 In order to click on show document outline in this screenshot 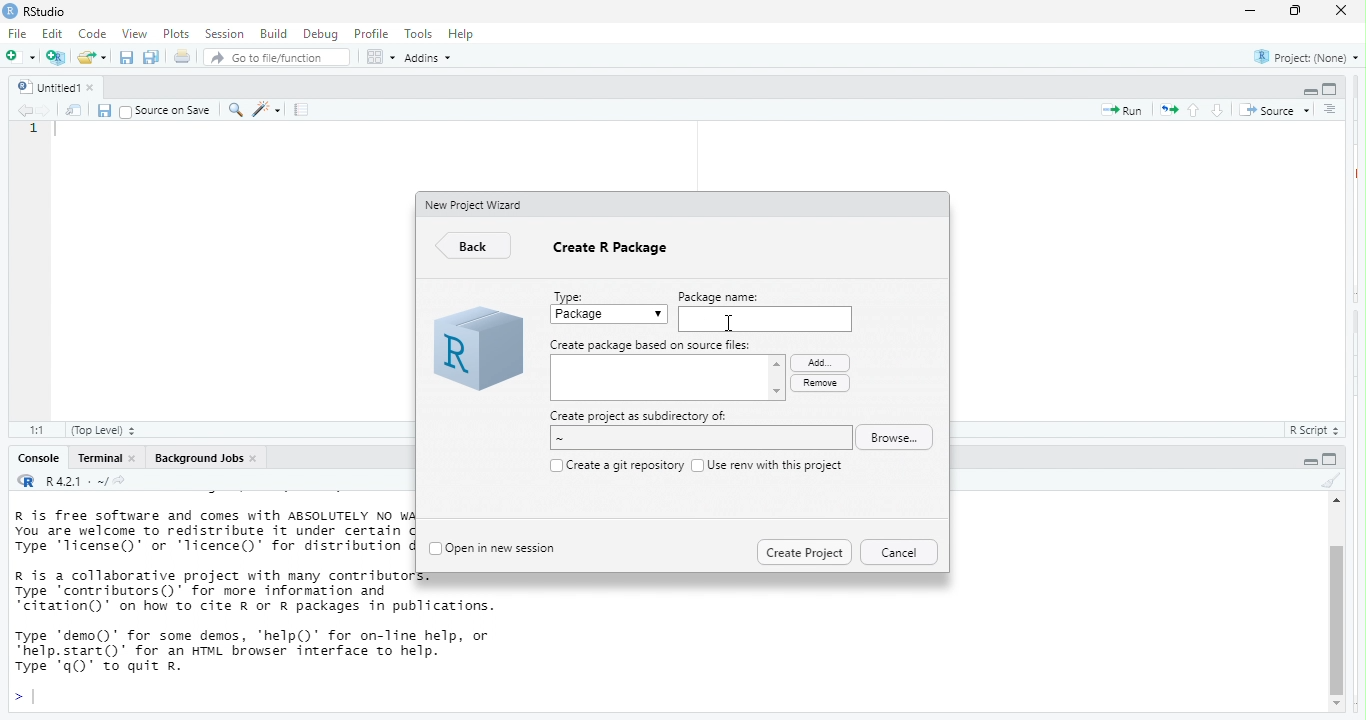, I will do `click(1329, 109)`.